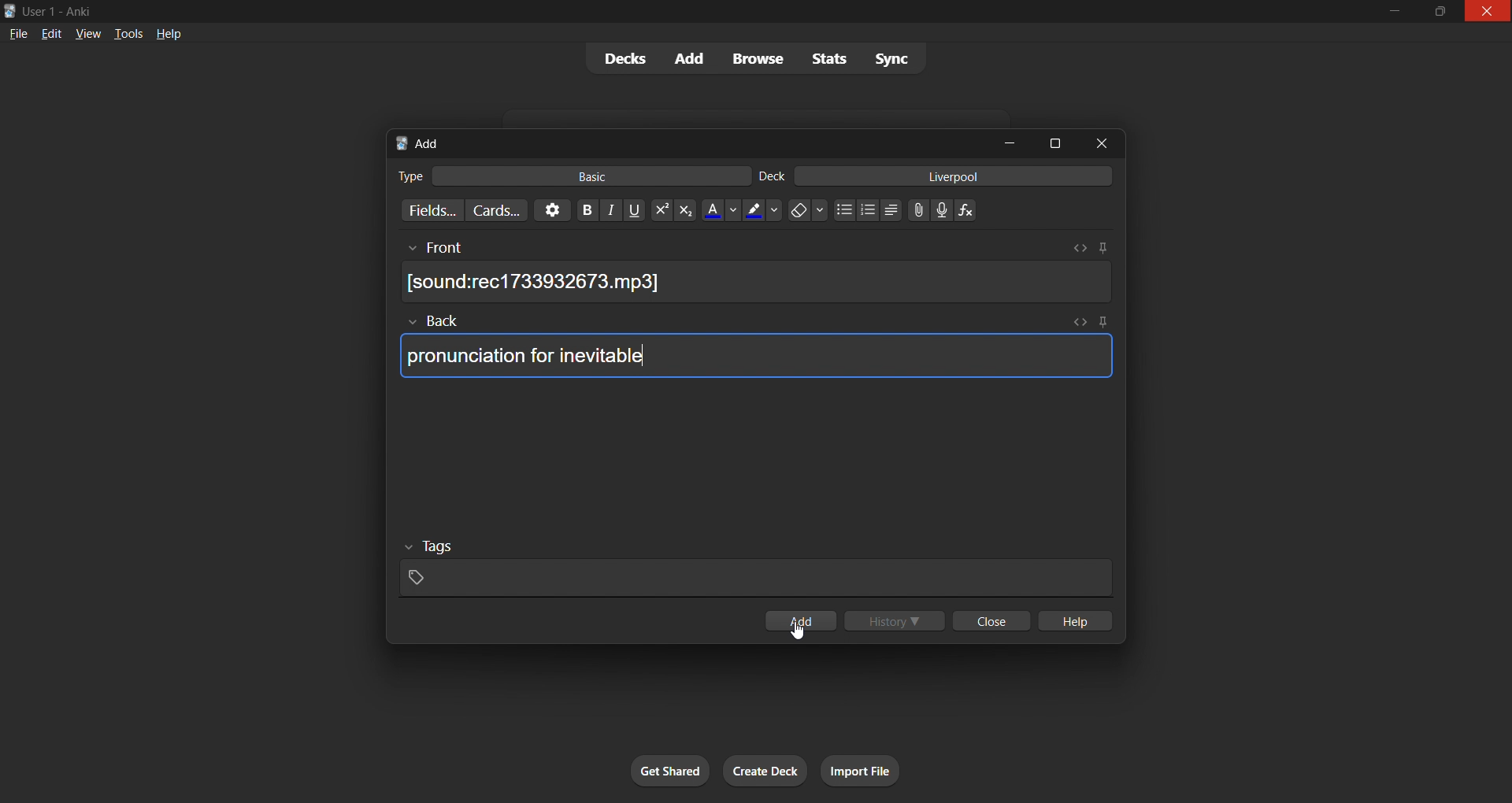 The image size is (1512, 803). What do you see at coordinates (654, 766) in the screenshot?
I see `get shared` at bounding box center [654, 766].